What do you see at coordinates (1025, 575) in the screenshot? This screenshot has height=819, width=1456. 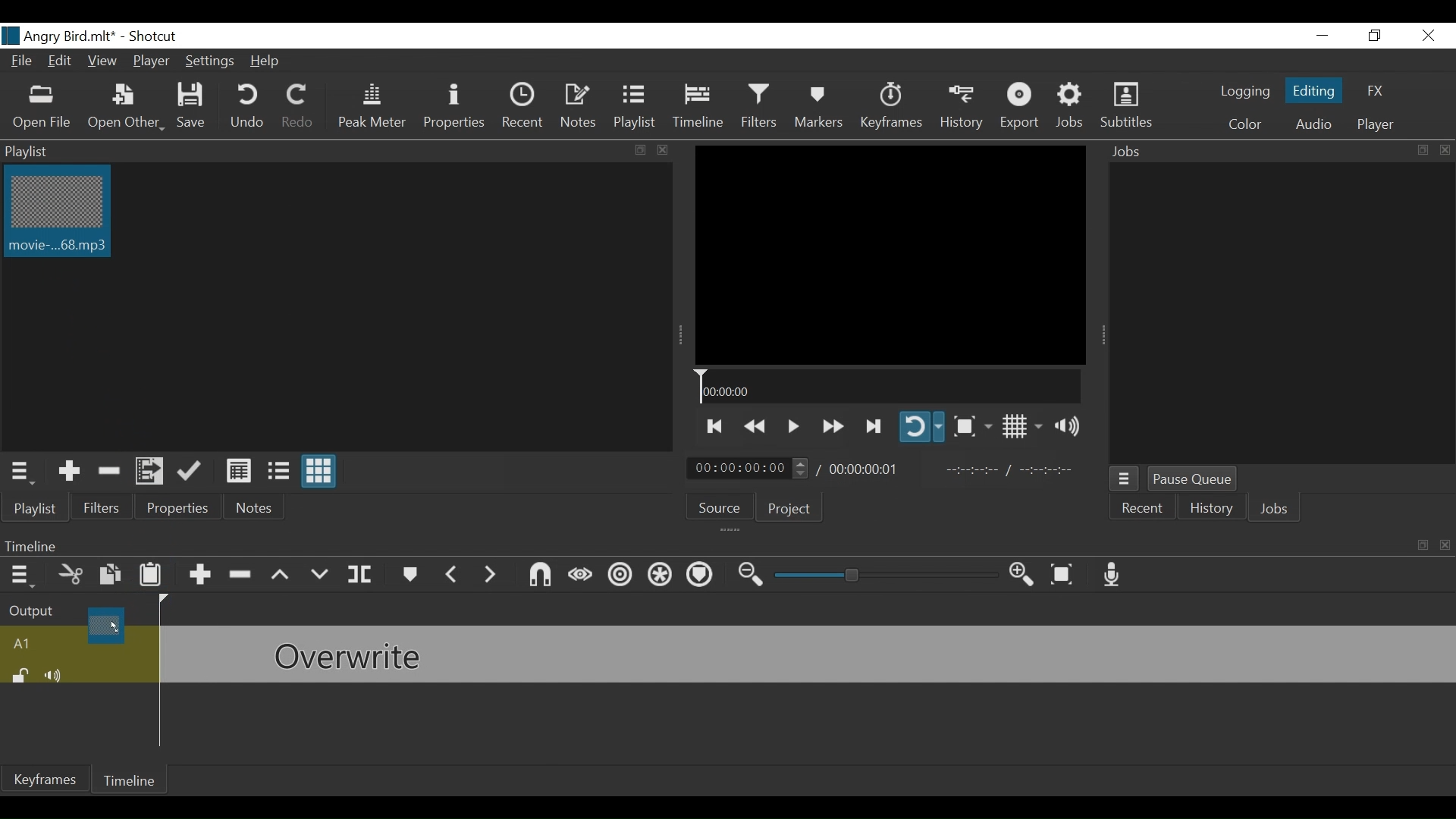 I see `Zoom timeline in` at bounding box center [1025, 575].